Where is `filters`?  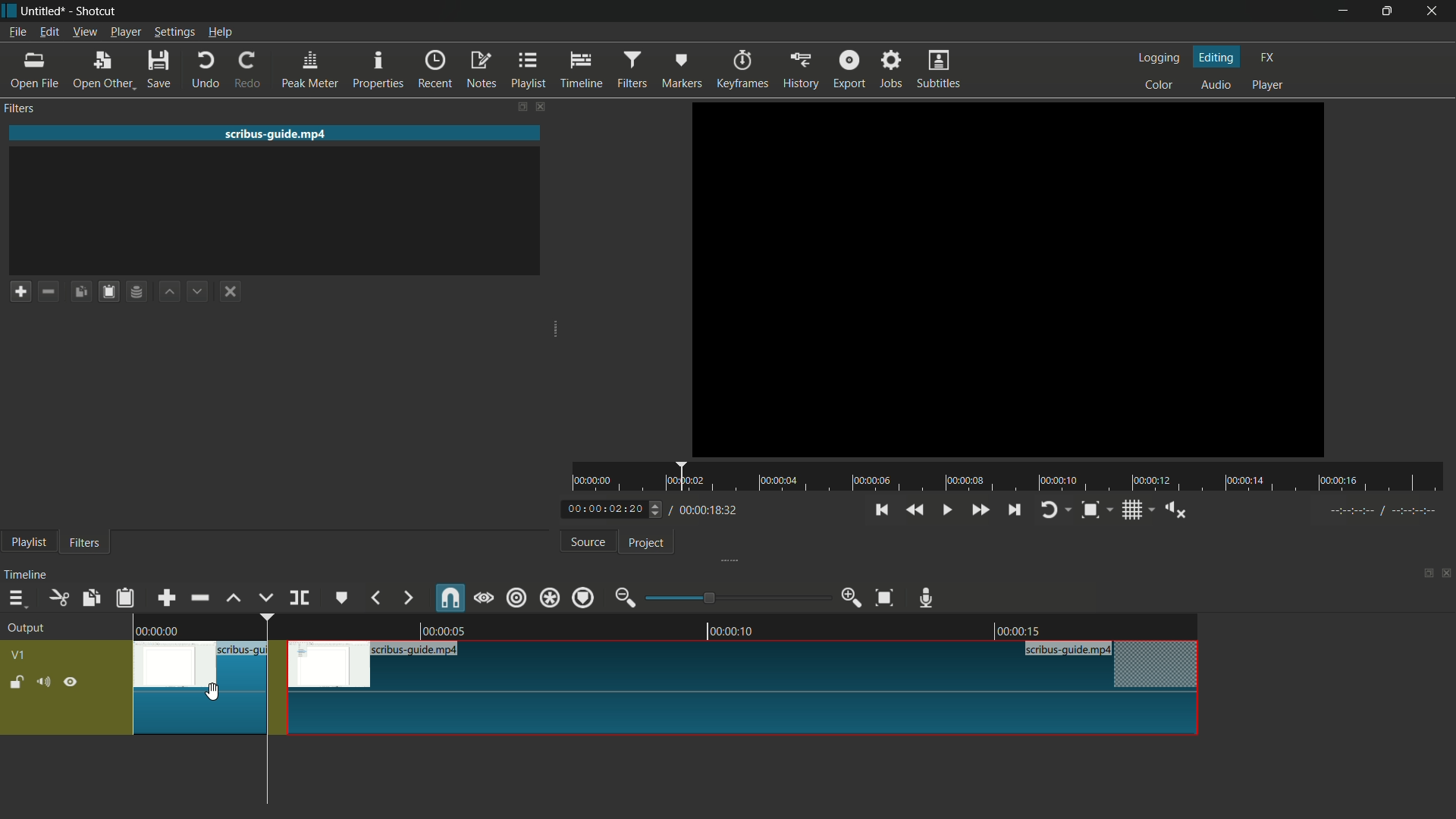 filters is located at coordinates (83, 541).